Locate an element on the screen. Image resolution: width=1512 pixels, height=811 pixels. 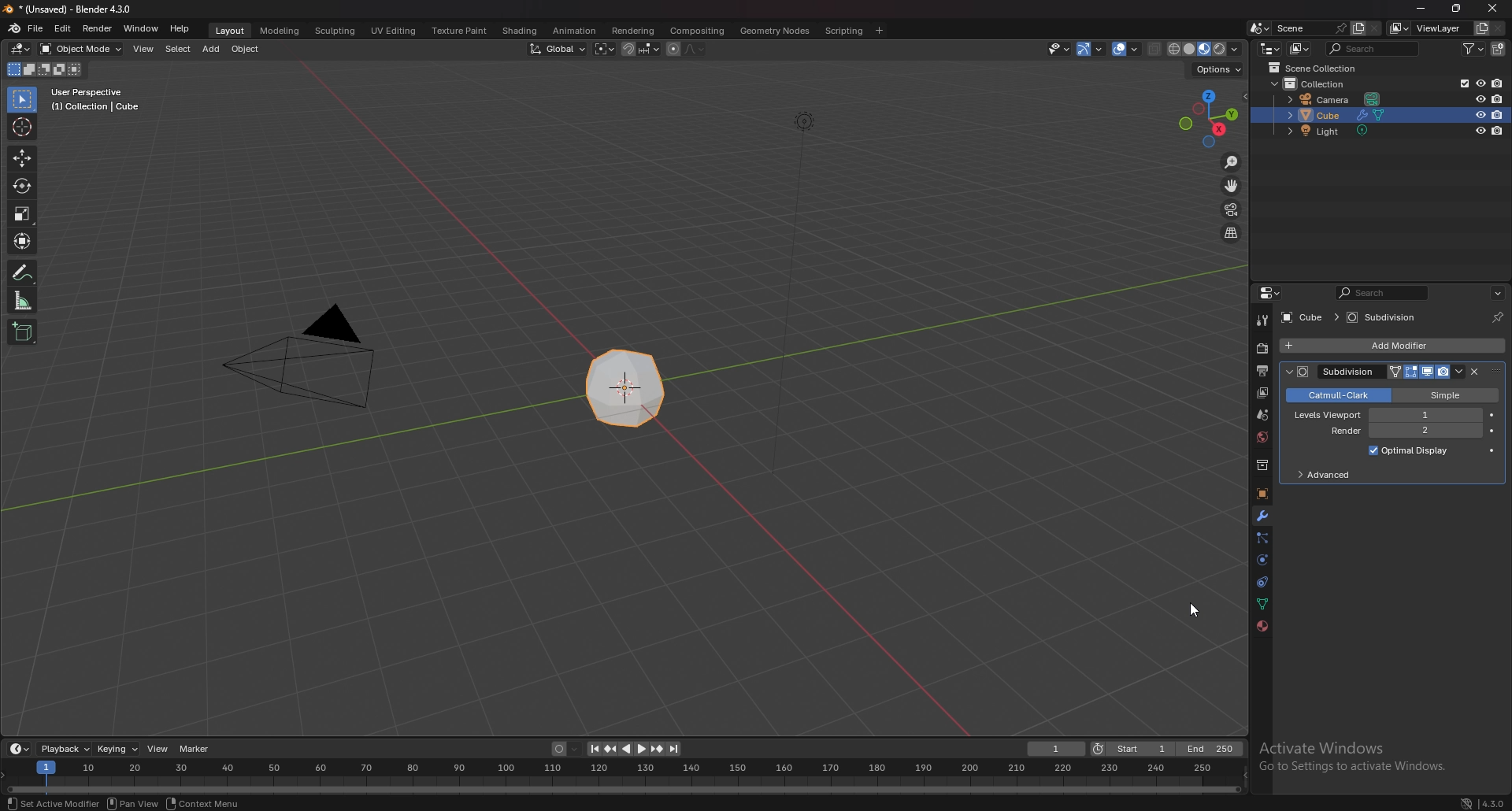
info is located at coordinates (98, 99).